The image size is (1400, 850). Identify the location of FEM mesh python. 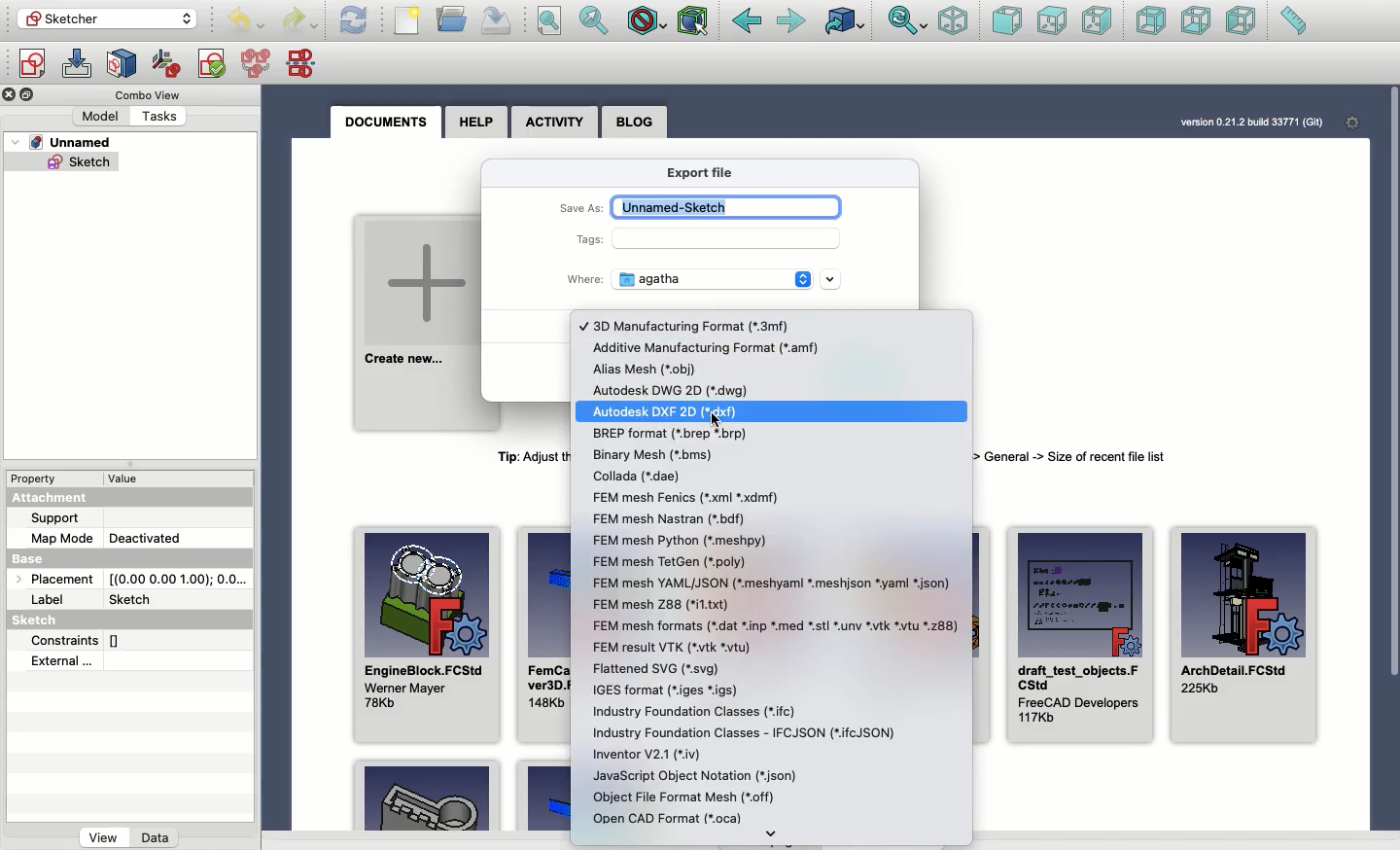
(678, 541).